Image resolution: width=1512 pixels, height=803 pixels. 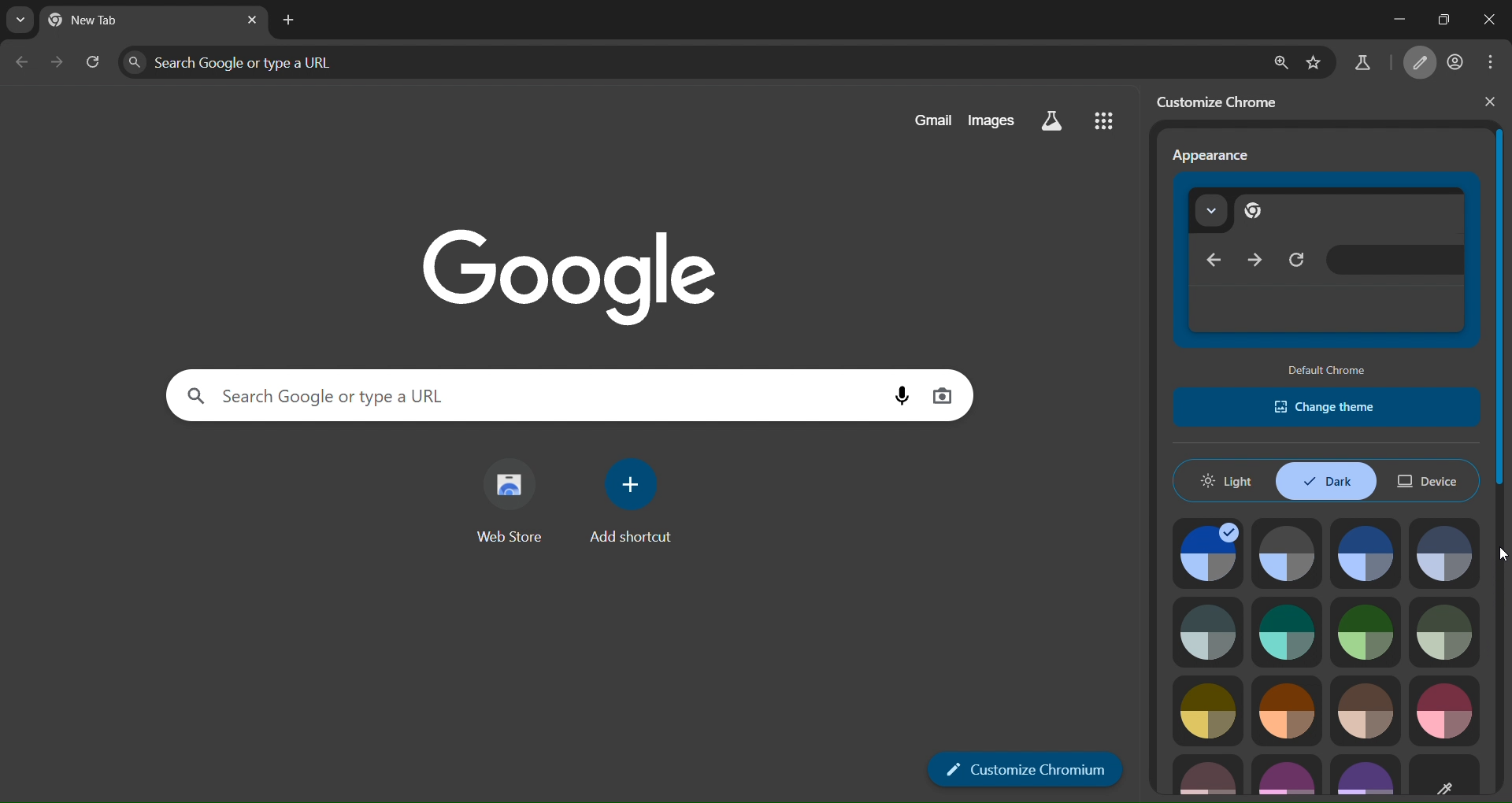 I want to click on account, so click(x=1457, y=63).